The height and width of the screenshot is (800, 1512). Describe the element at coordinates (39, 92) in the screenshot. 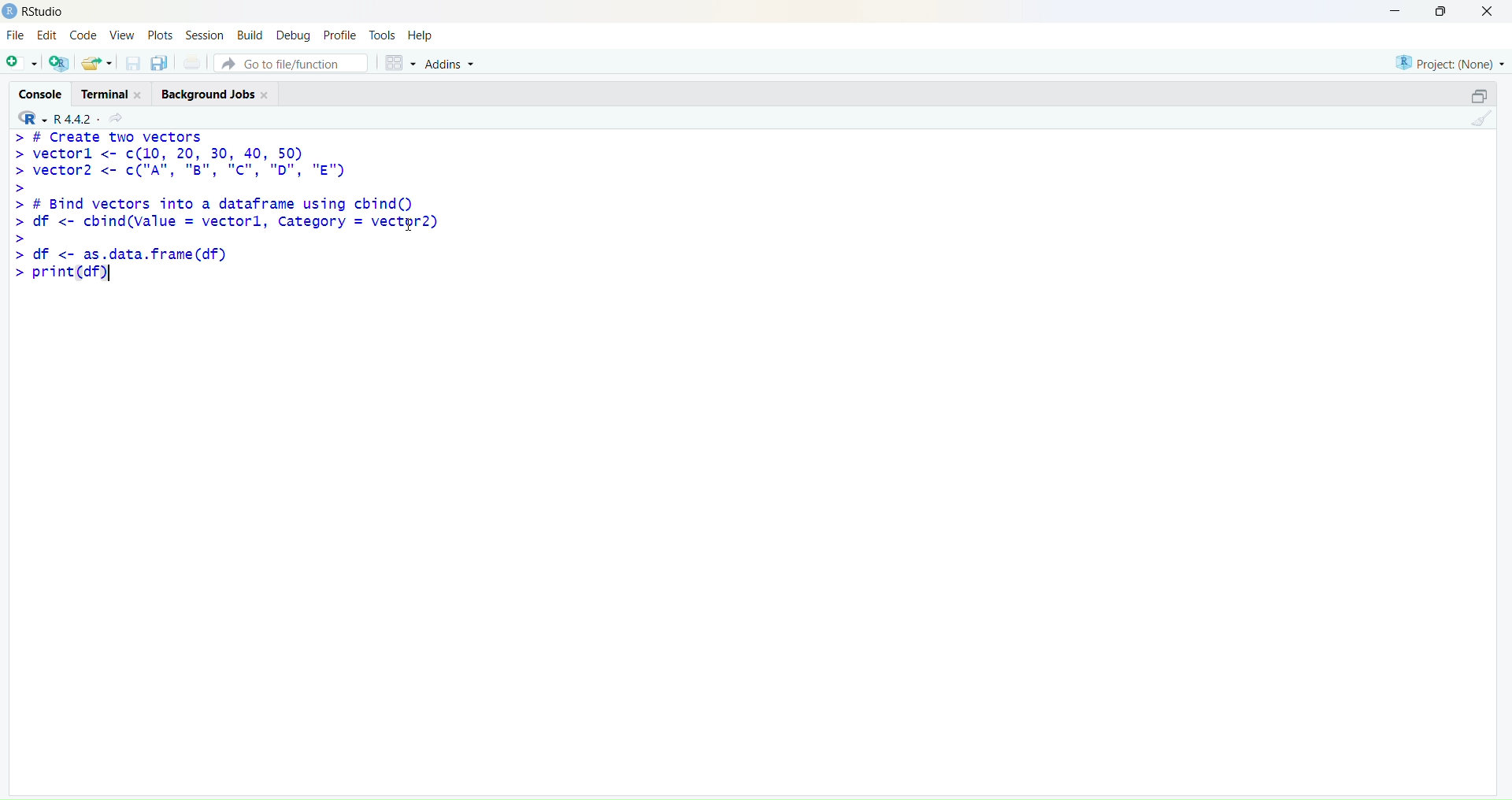

I see `Console` at that location.